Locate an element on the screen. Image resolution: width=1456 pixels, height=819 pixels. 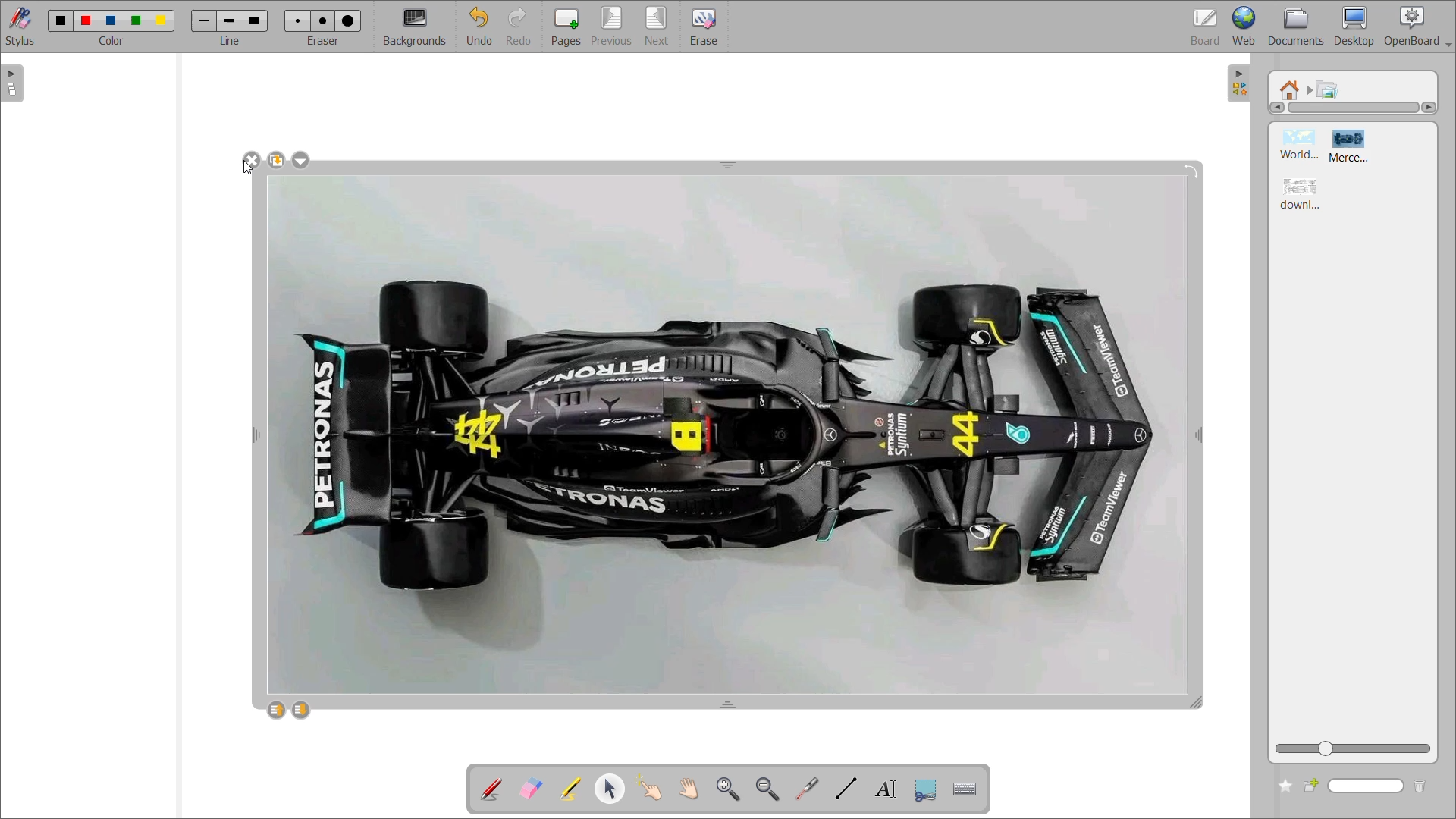
background is located at coordinates (416, 25).